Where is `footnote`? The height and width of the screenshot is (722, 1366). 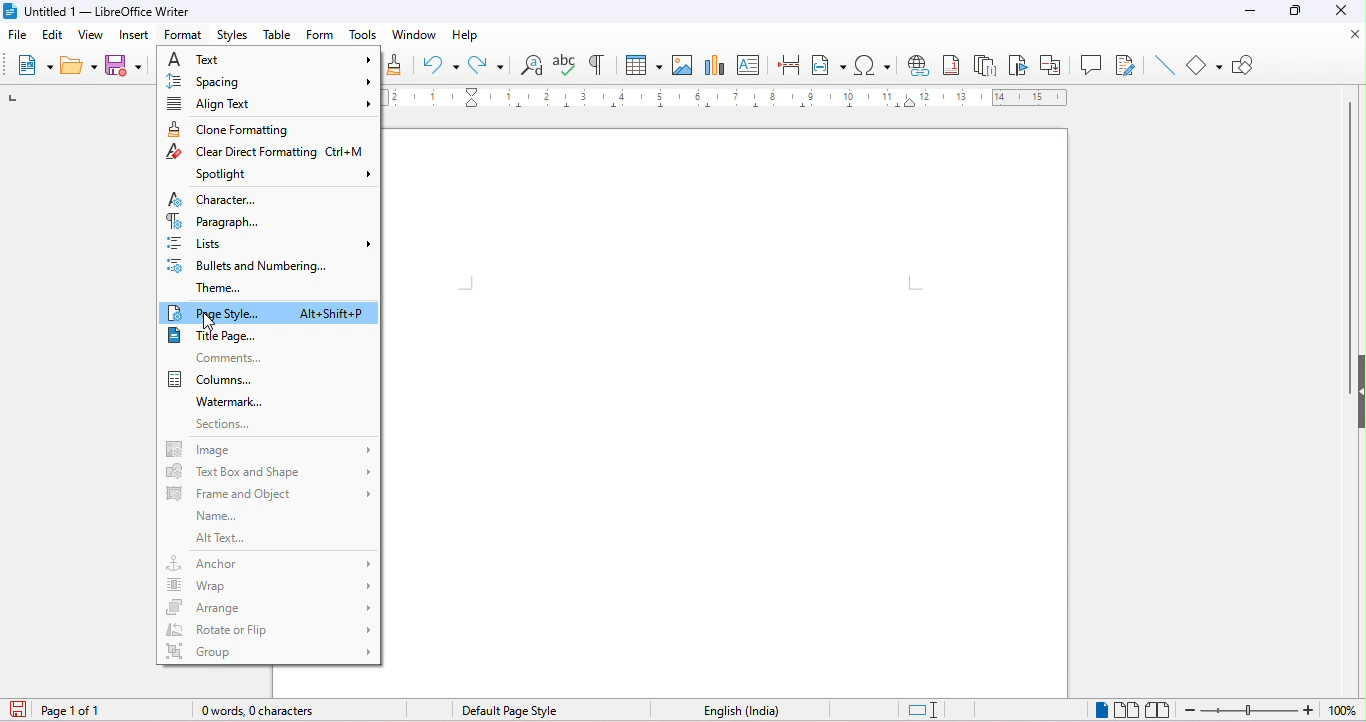 footnote is located at coordinates (952, 67).